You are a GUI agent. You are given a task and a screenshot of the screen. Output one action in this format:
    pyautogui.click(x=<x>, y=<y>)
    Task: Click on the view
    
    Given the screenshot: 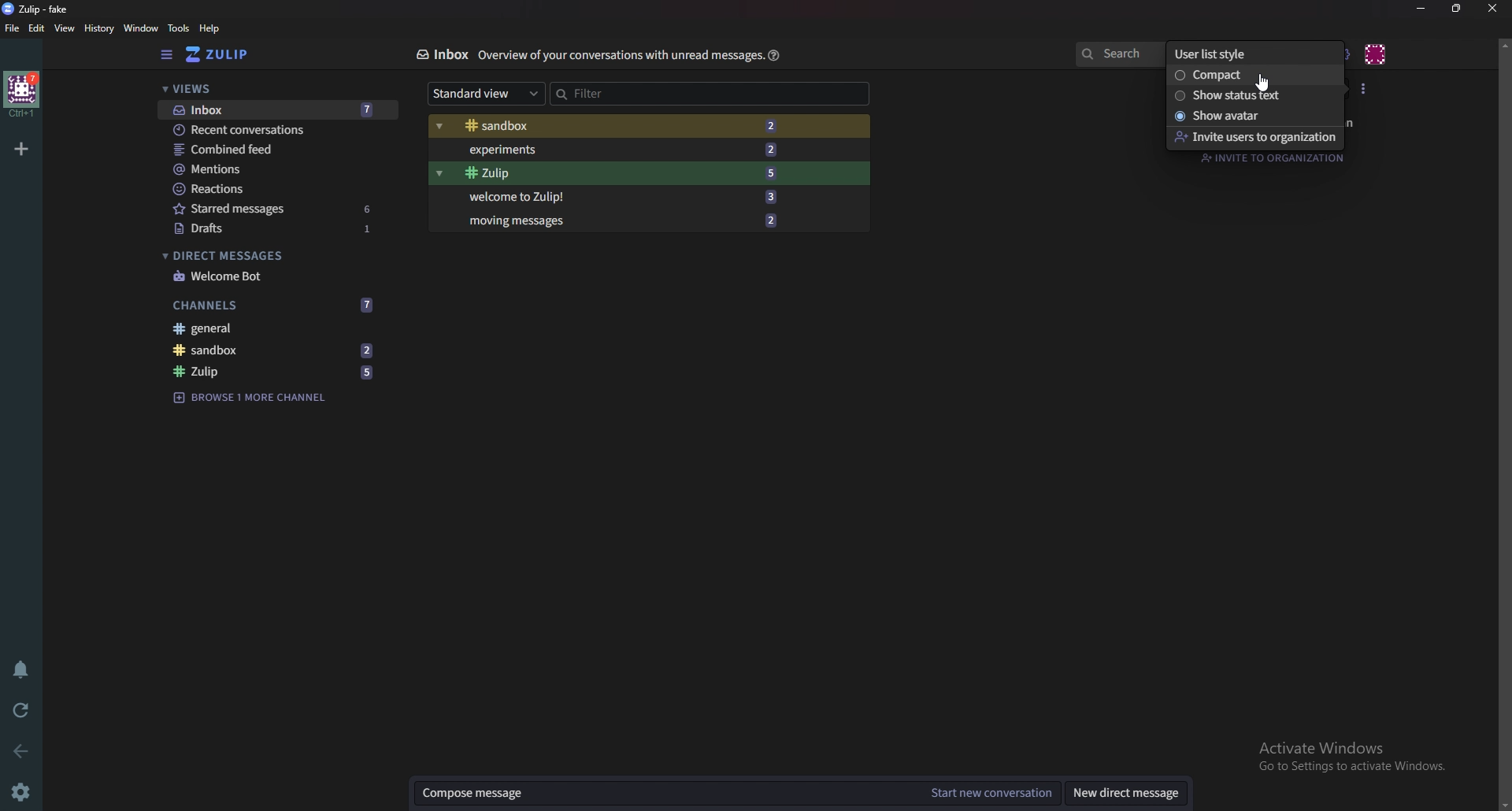 What is the action you would take?
    pyautogui.click(x=66, y=29)
    